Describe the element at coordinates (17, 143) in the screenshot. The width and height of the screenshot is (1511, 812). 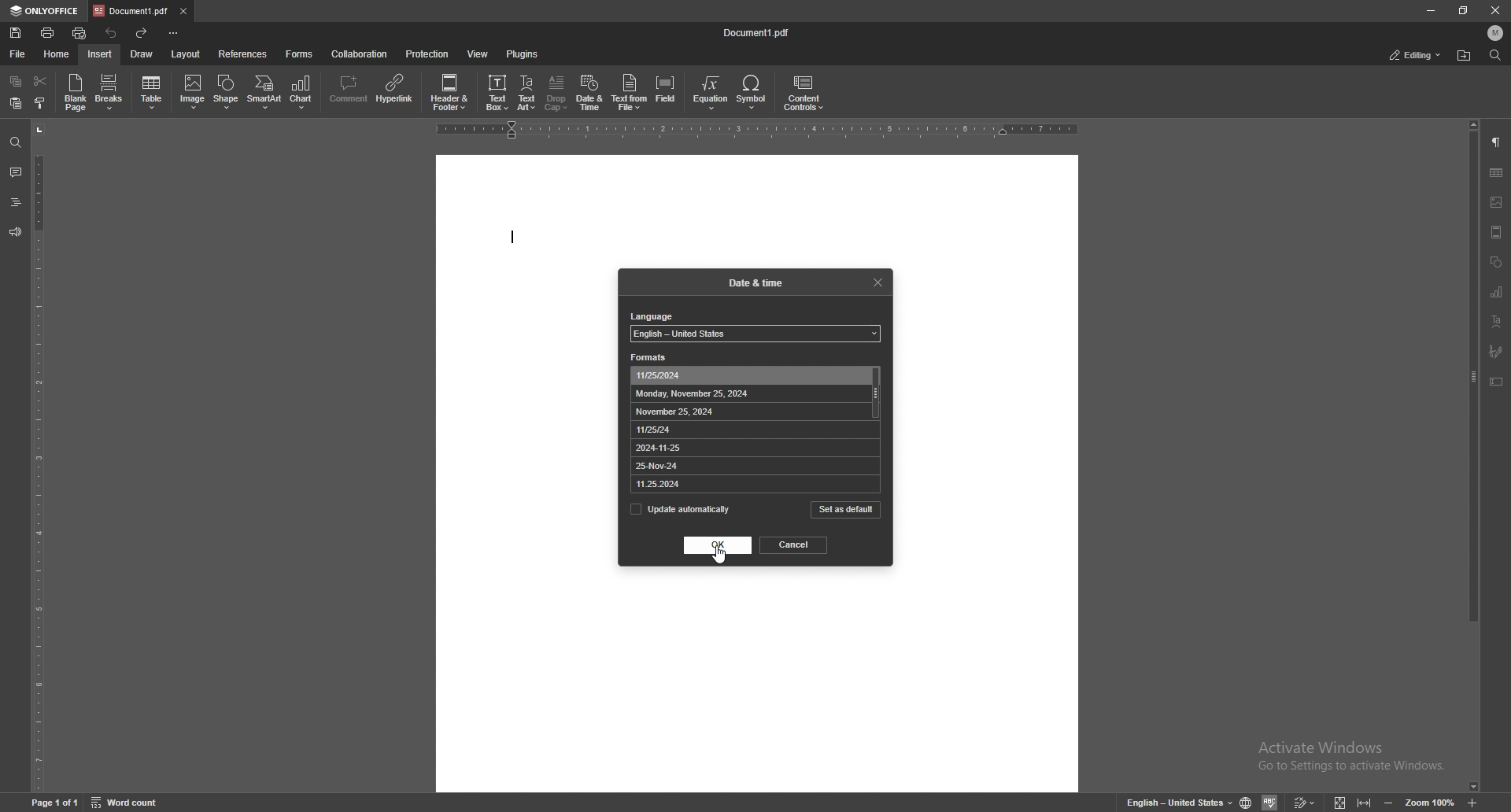
I see `find` at that location.